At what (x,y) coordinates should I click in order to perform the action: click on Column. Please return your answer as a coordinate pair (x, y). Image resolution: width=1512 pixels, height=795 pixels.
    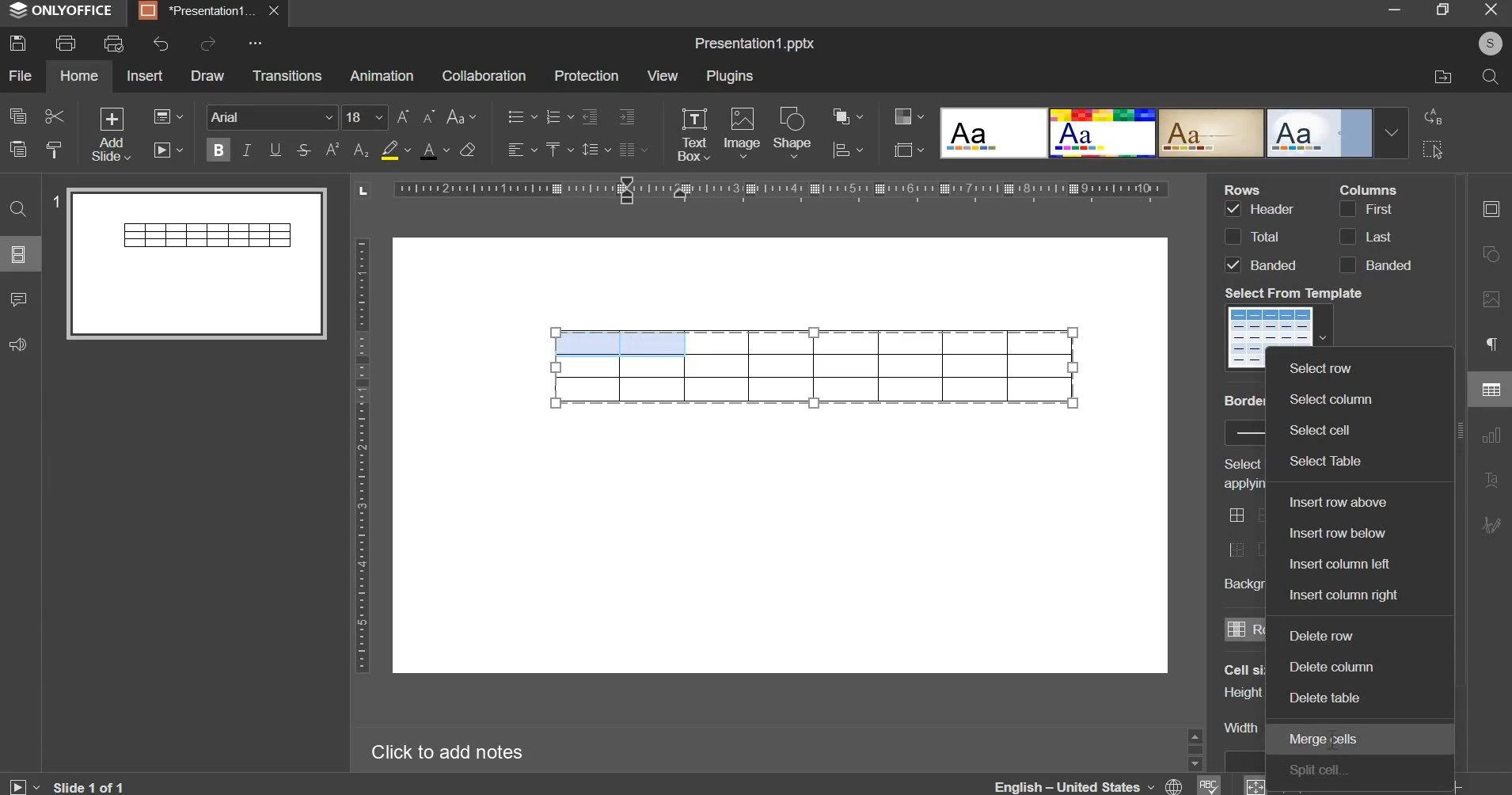
    Looking at the image, I should click on (1368, 188).